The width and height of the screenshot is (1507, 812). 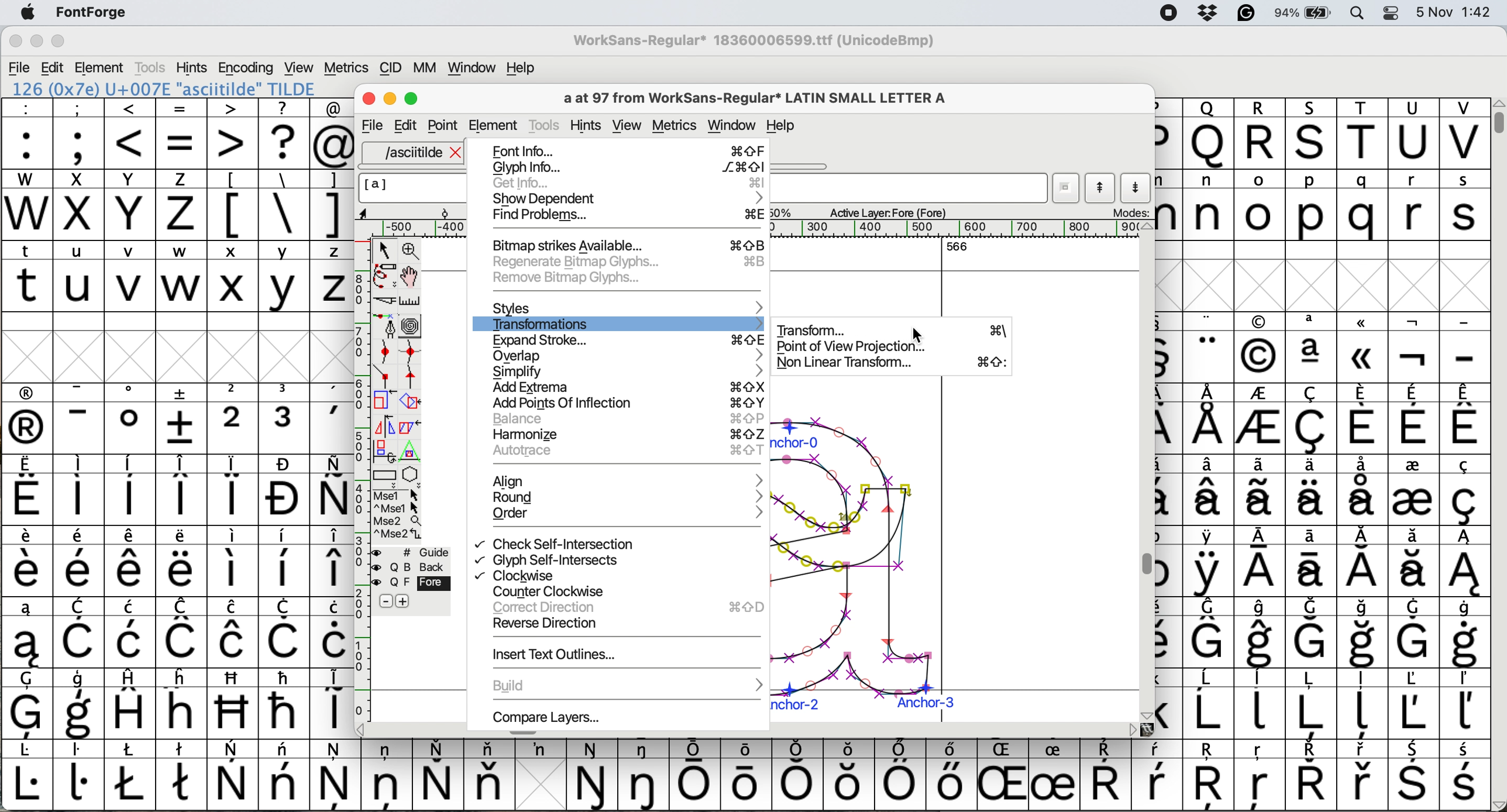 What do you see at coordinates (850, 775) in the screenshot?
I see `` at bounding box center [850, 775].